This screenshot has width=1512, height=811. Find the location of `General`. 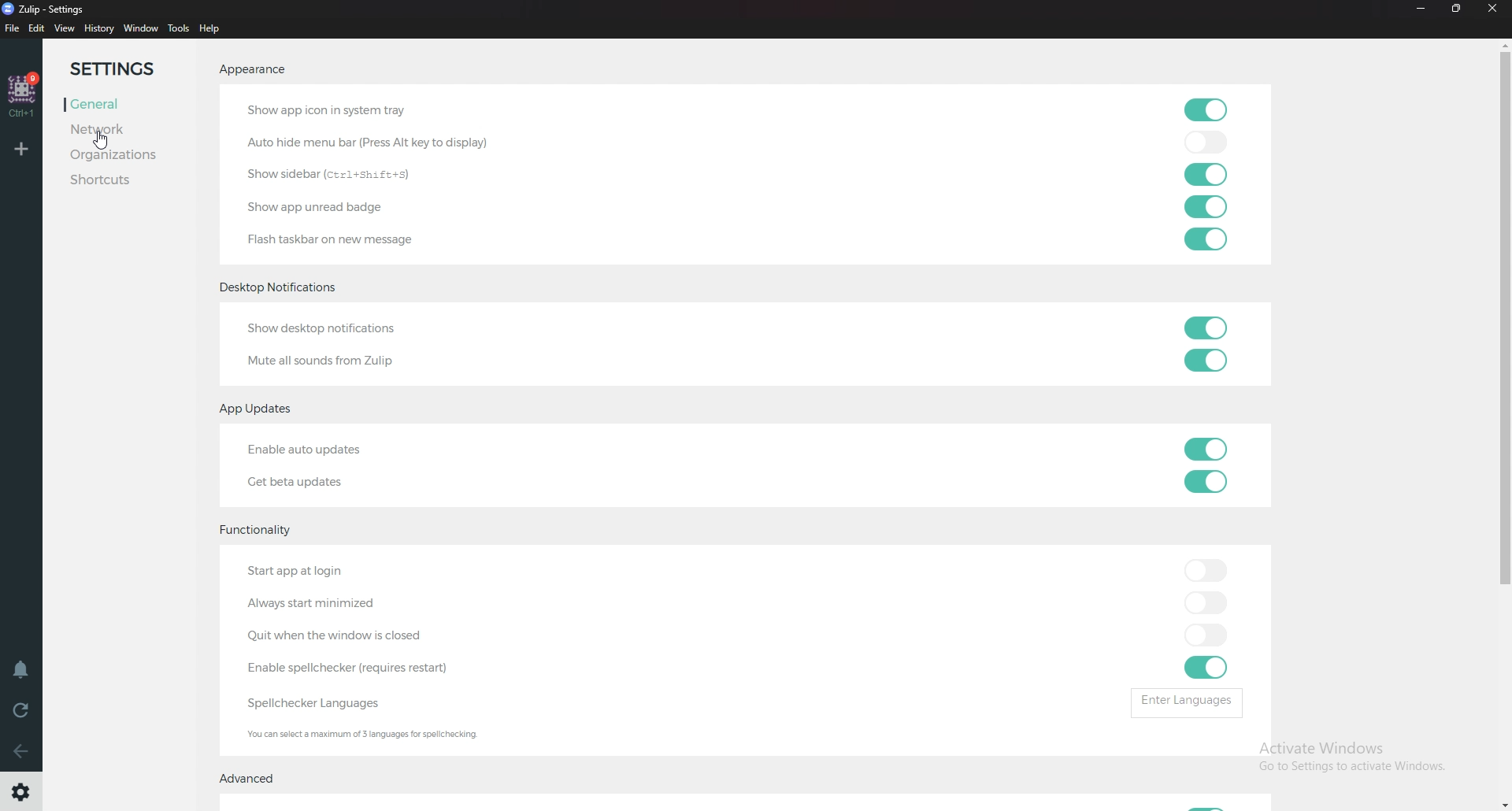

General is located at coordinates (106, 105).